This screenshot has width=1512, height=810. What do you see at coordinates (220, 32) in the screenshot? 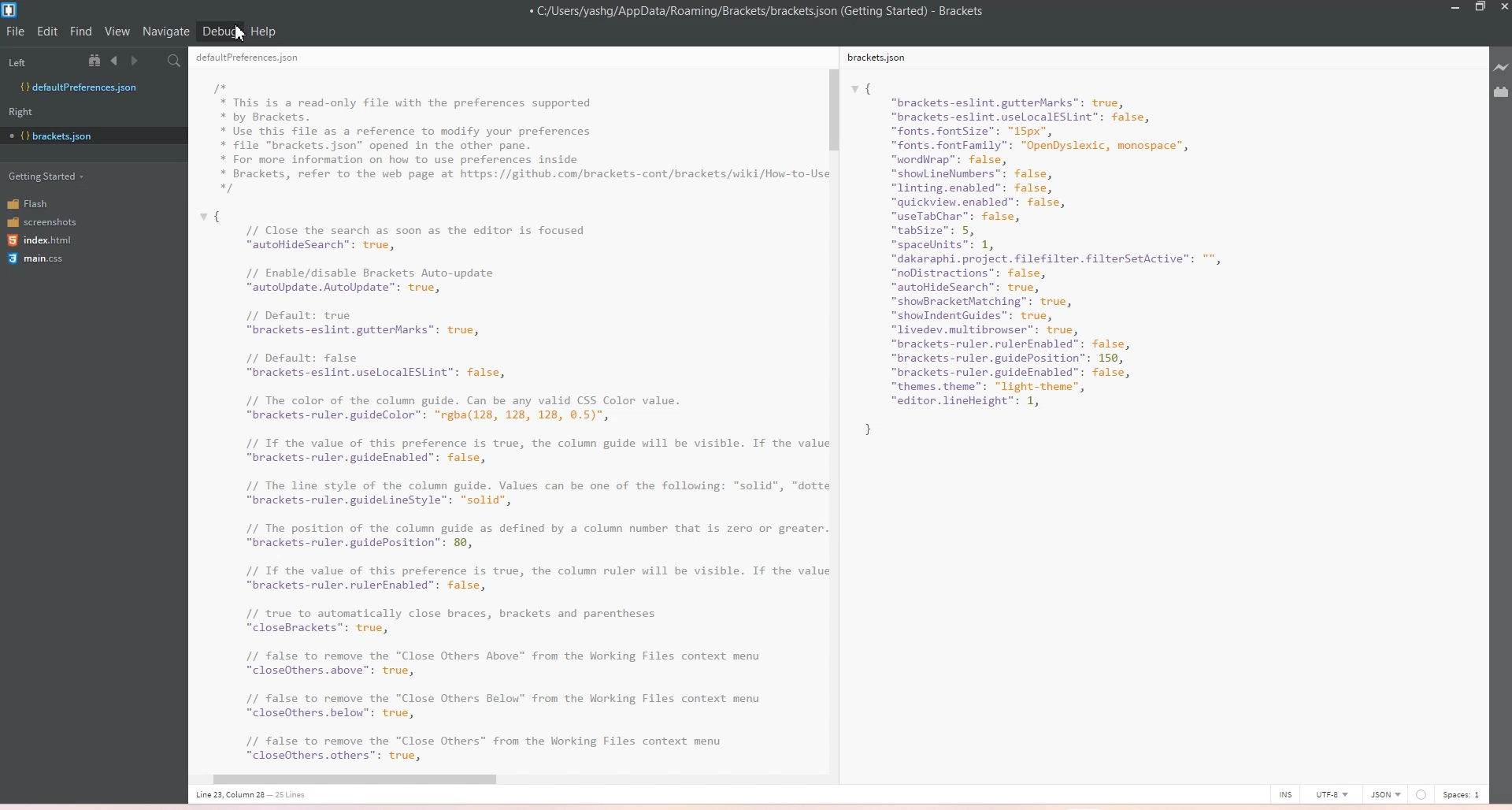
I see `Debug` at bounding box center [220, 32].